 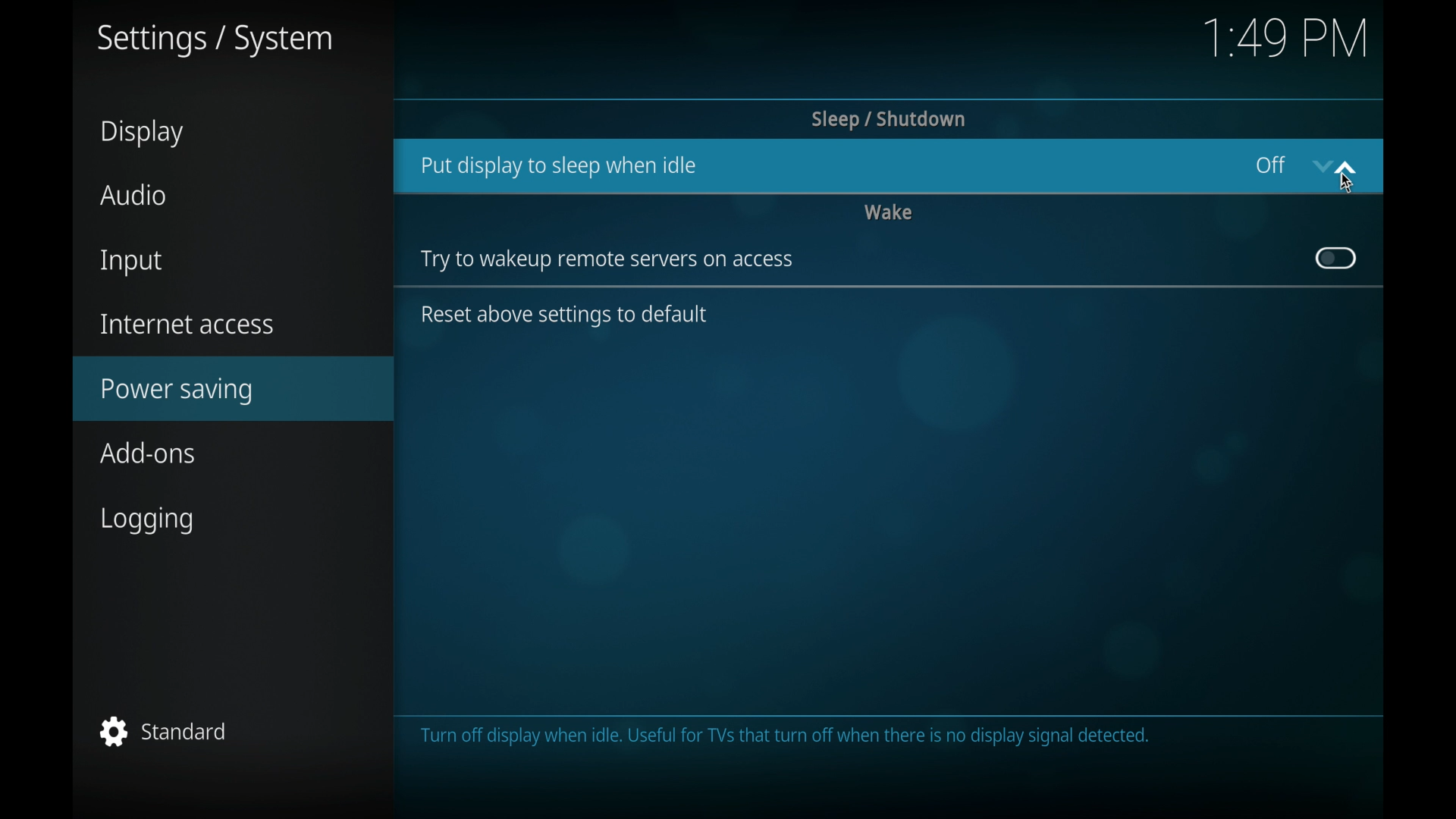 What do you see at coordinates (567, 316) in the screenshot?
I see `reset above settings default` at bounding box center [567, 316].